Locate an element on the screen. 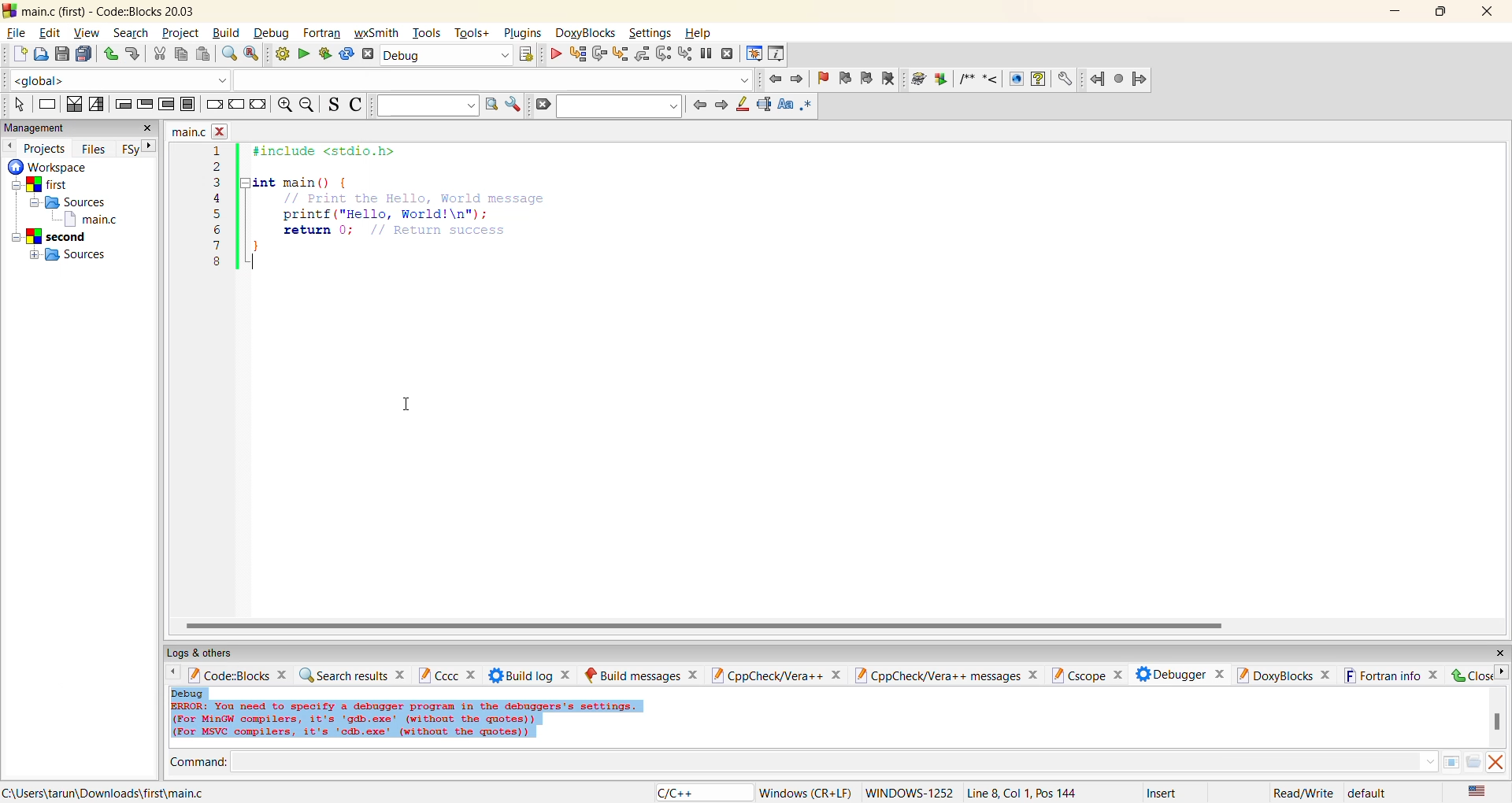 The width and height of the screenshot is (1512, 803). cut is located at coordinates (155, 56).